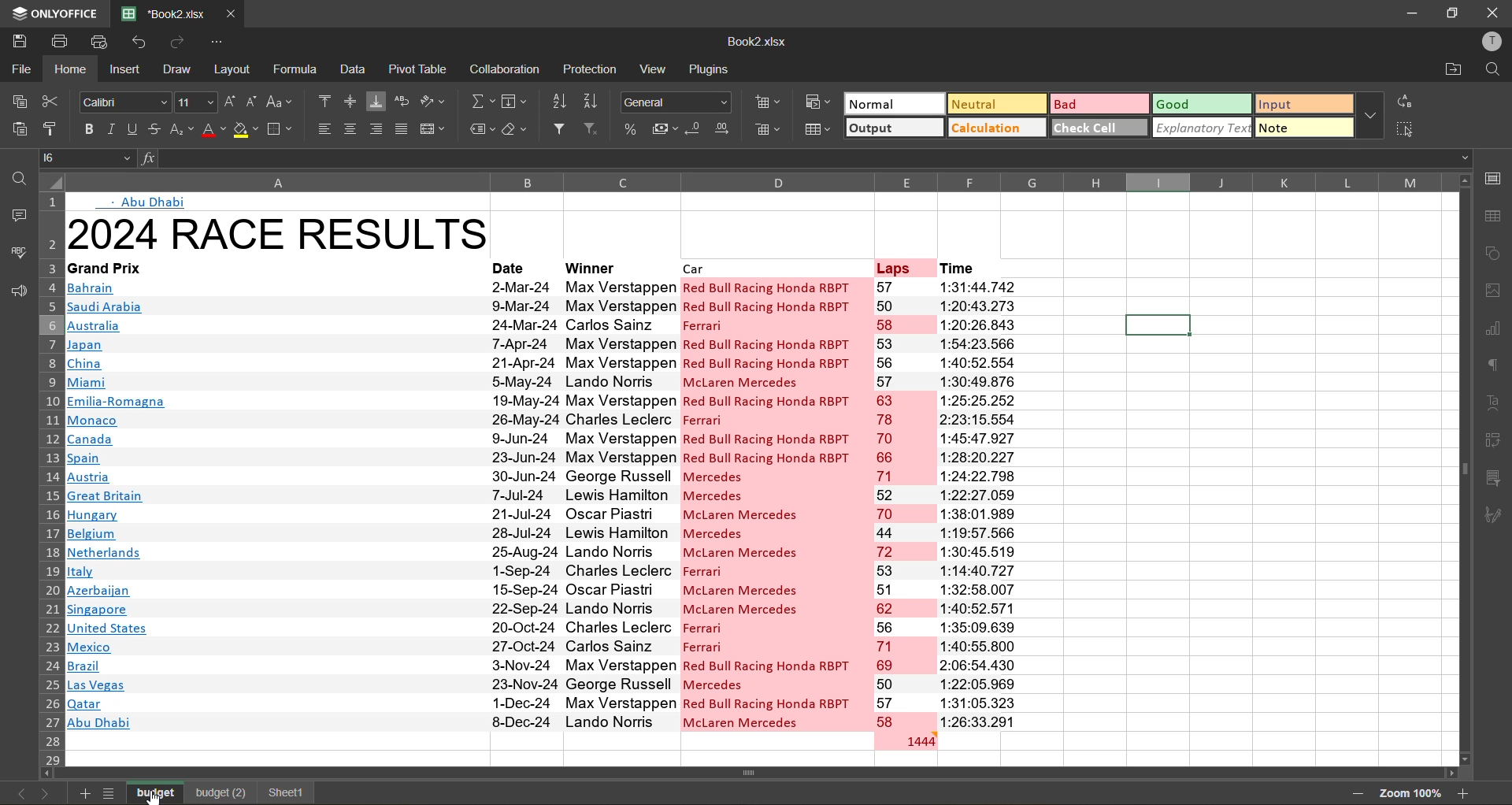  Describe the element at coordinates (283, 101) in the screenshot. I see `change case` at that location.